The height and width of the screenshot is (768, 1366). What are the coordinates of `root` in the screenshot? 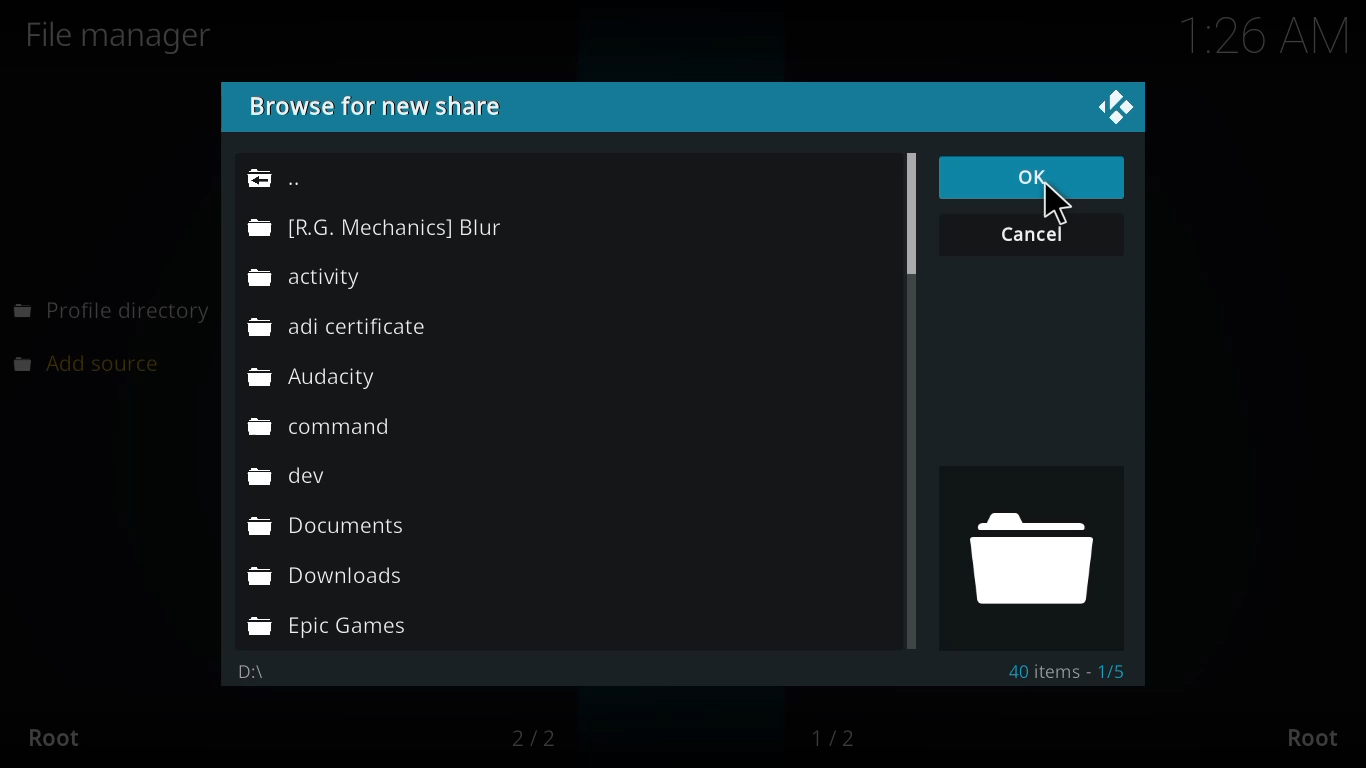 It's located at (1308, 735).